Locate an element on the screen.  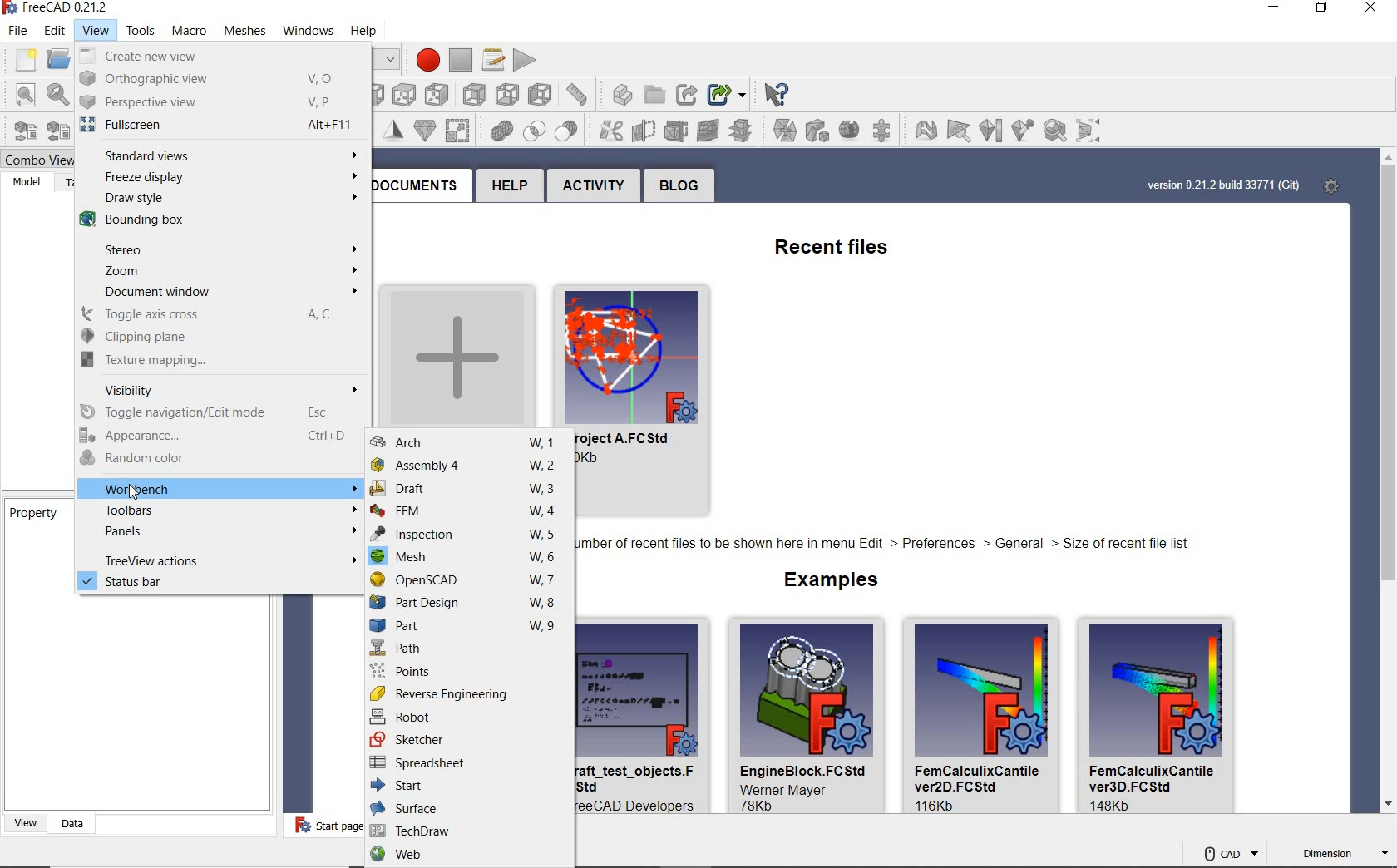
bounding info is located at coordinates (1093, 131).